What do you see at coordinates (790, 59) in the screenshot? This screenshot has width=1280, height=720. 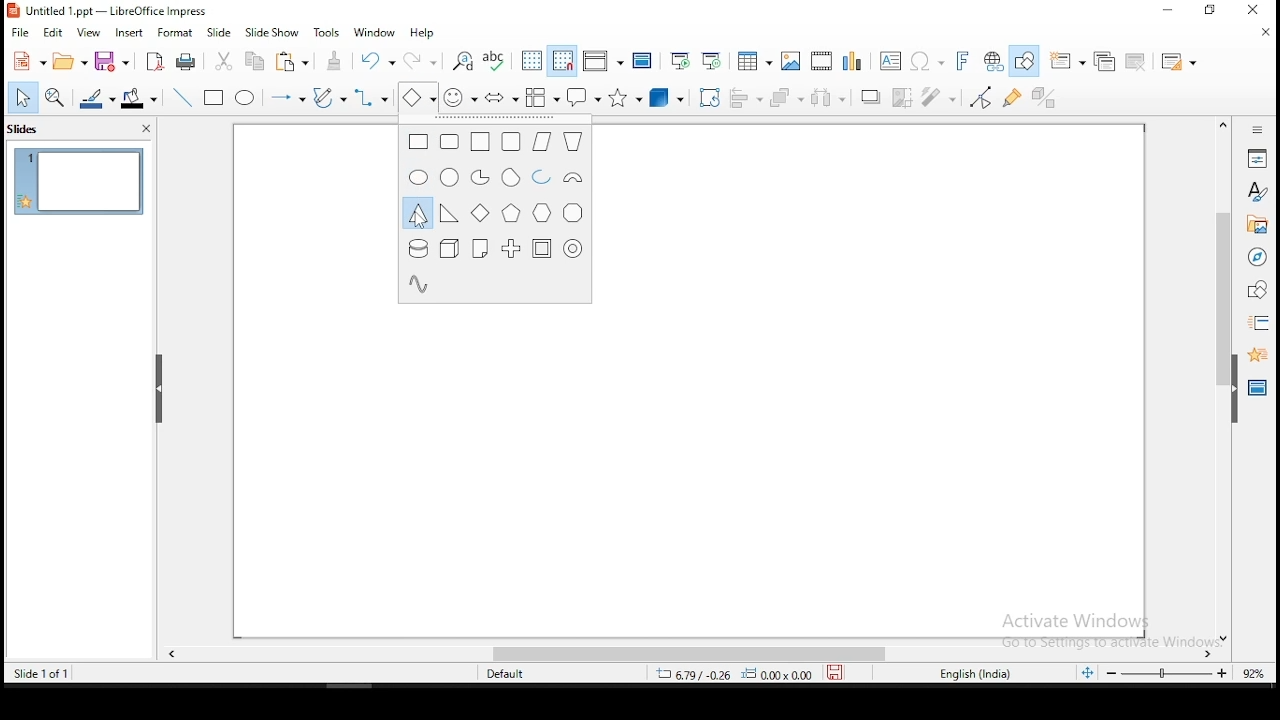 I see `images` at bounding box center [790, 59].